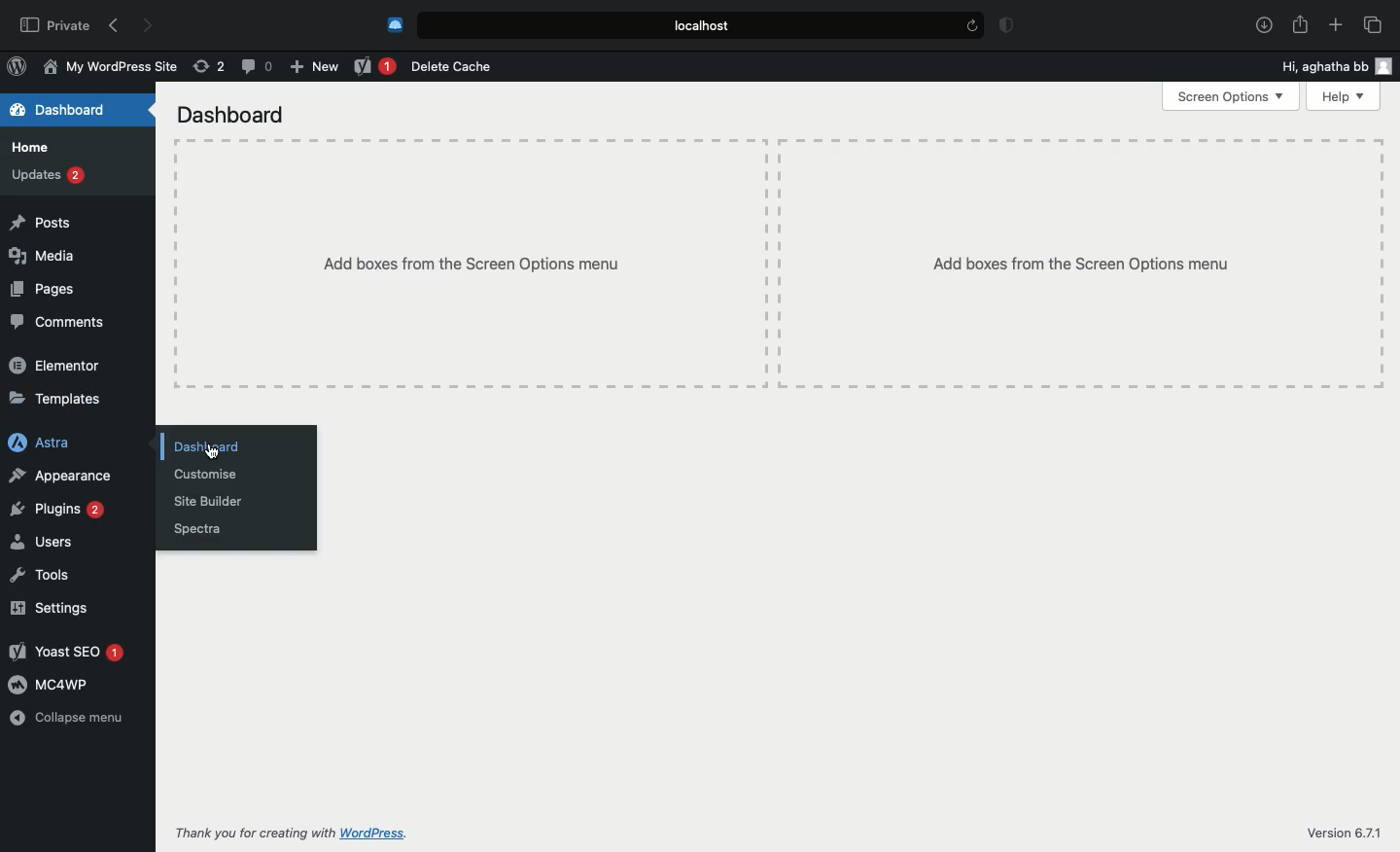 The image size is (1400, 852). Describe the element at coordinates (1010, 27) in the screenshot. I see `Badge` at that location.